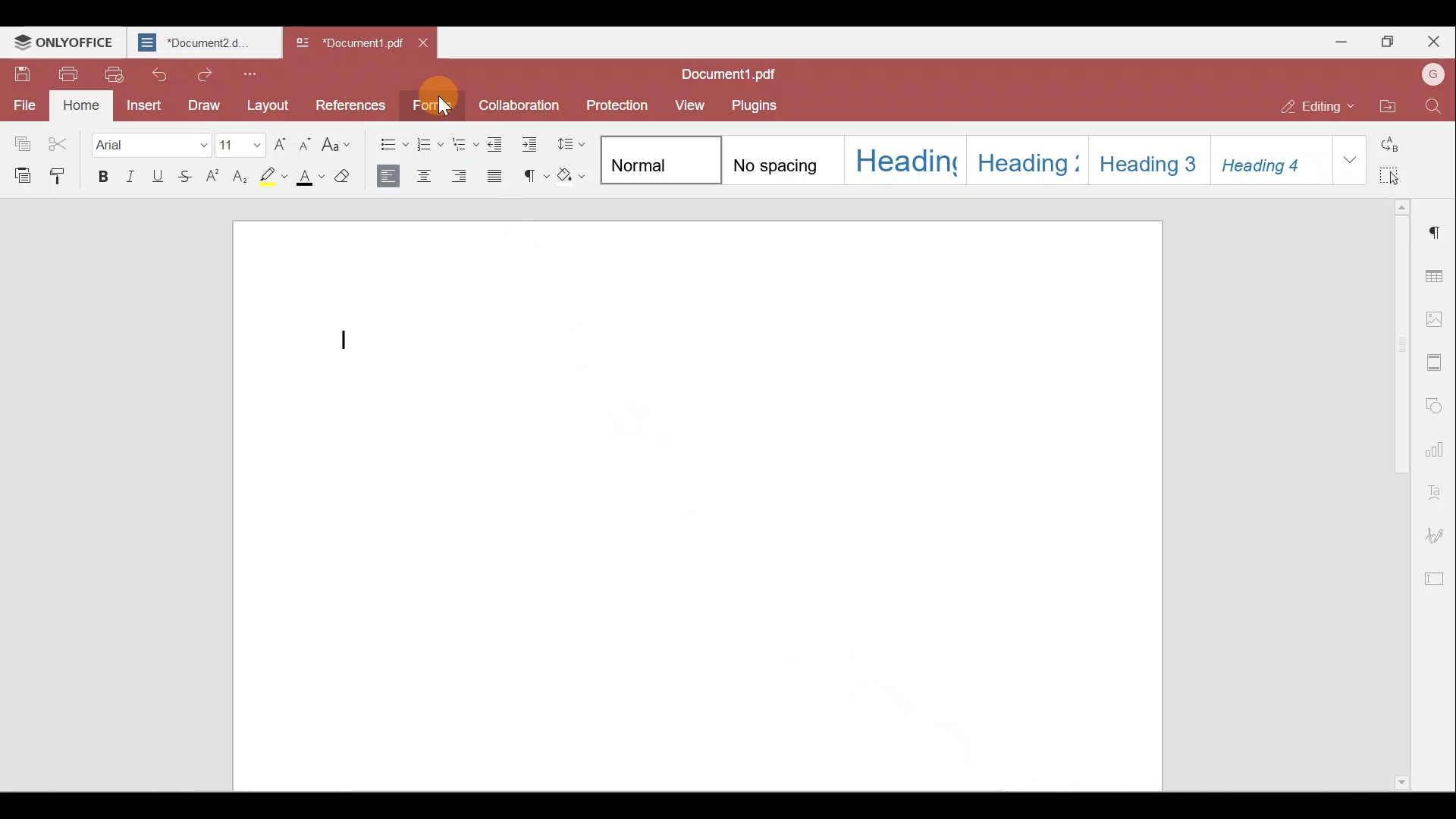 The height and width of the screenshot is (819, 1456). Describe the element at coordinates (140, 106) in the screenshot. I see `Insert` at that location.